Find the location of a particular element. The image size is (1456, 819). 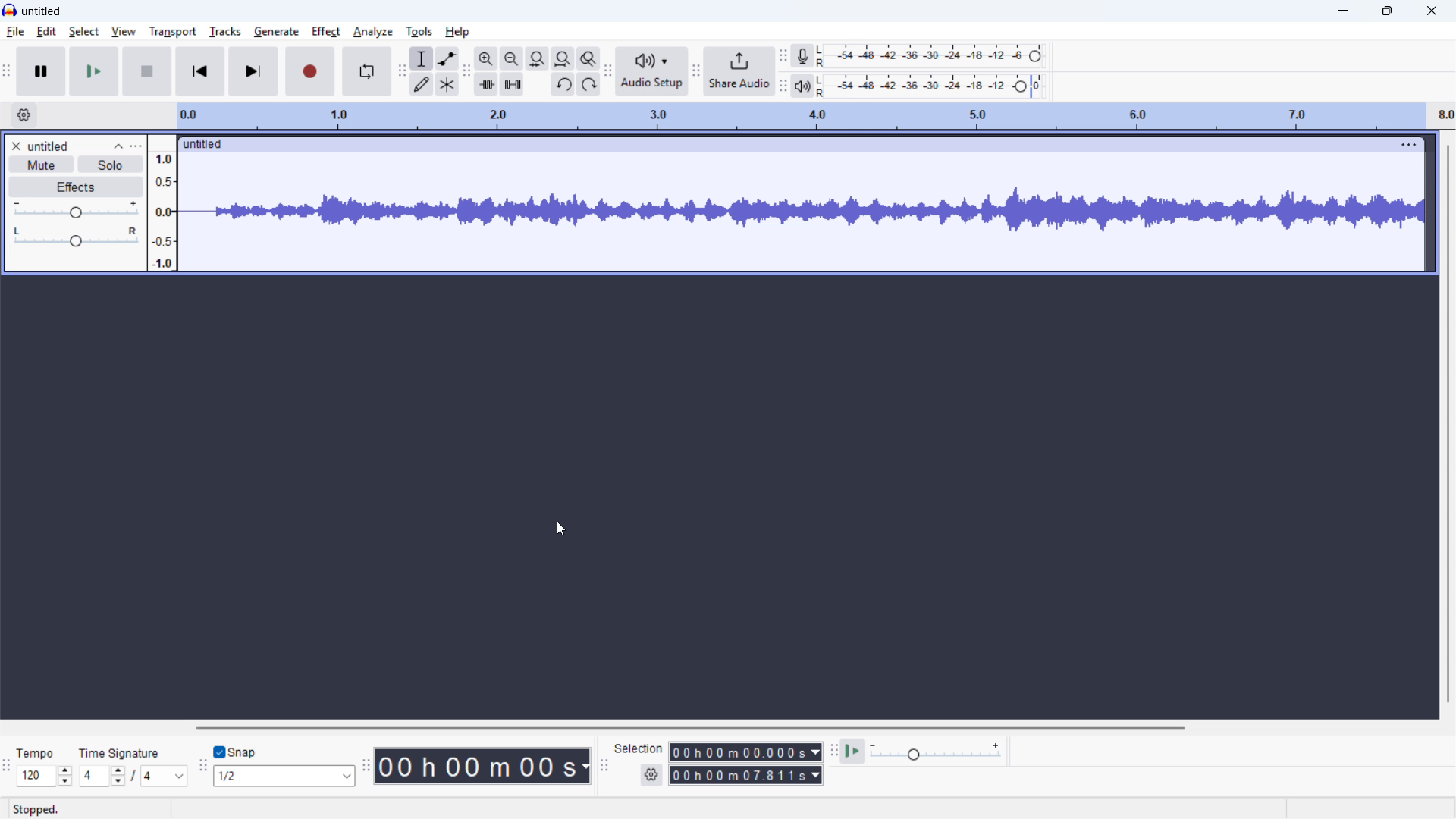

Timestamp  is located at coordinates (485, 766).